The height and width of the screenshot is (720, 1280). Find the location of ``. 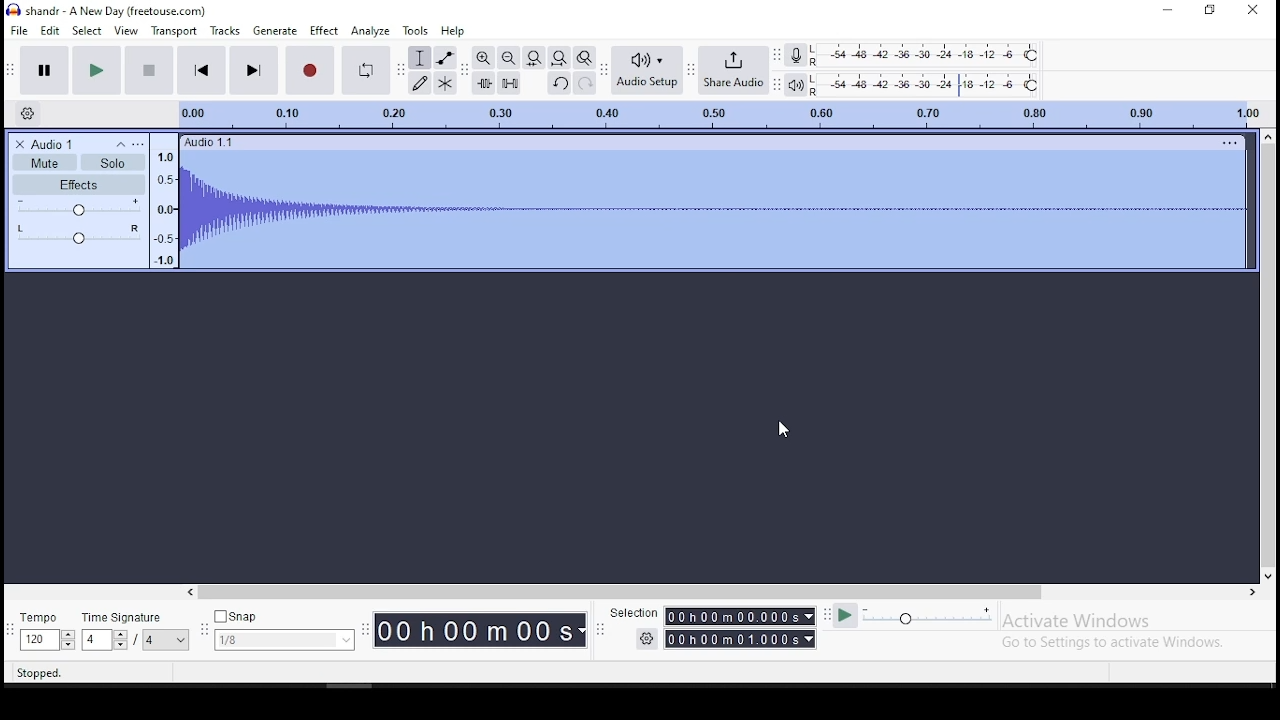

 is located at coordinates (630, 613).